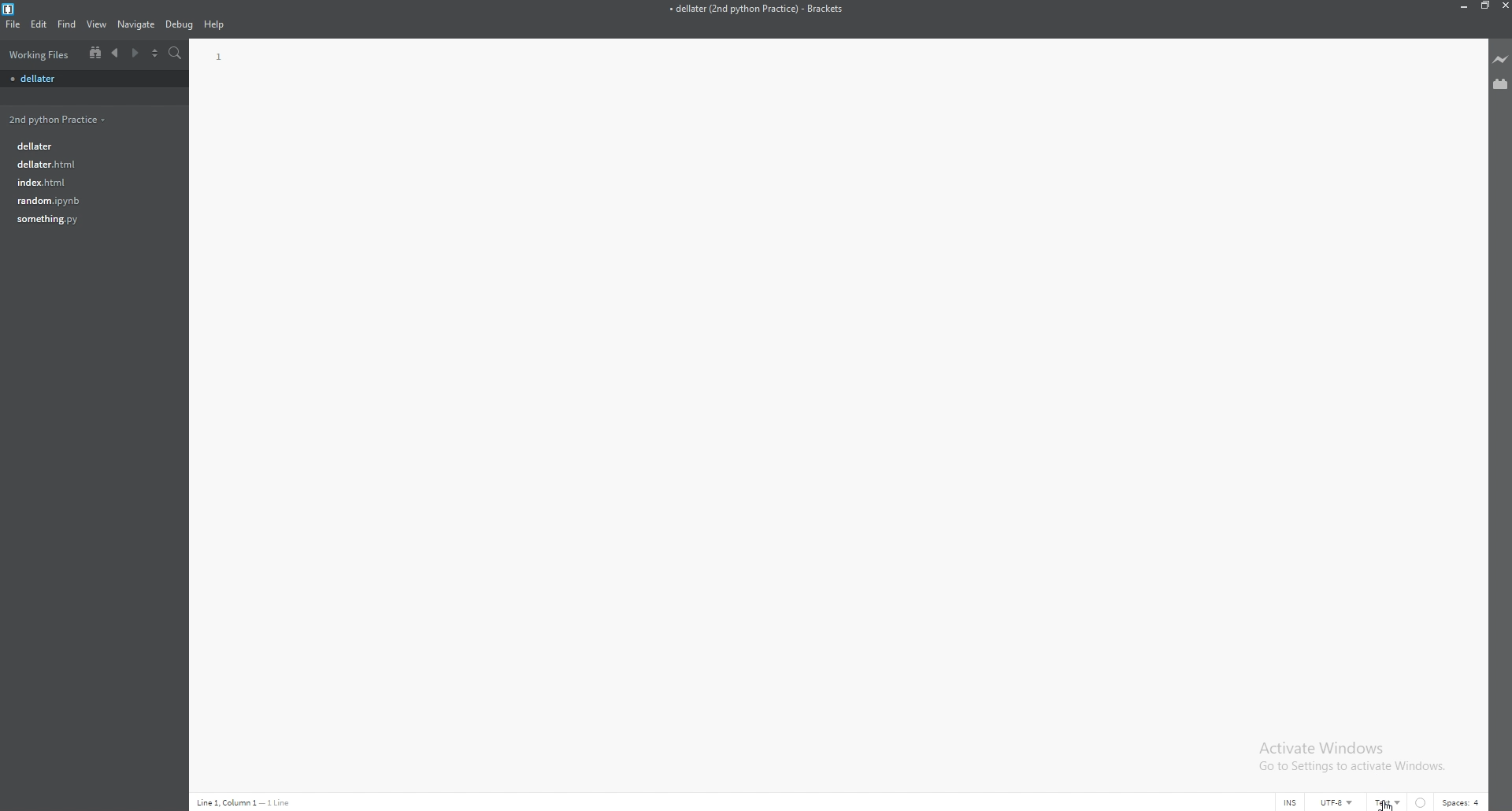 Image resolution: width=1512 pixels, height=811 pixels. What do you see at coordinates (215, 24) in the screenshot?
I see `help` at bounding box center [215, 24].